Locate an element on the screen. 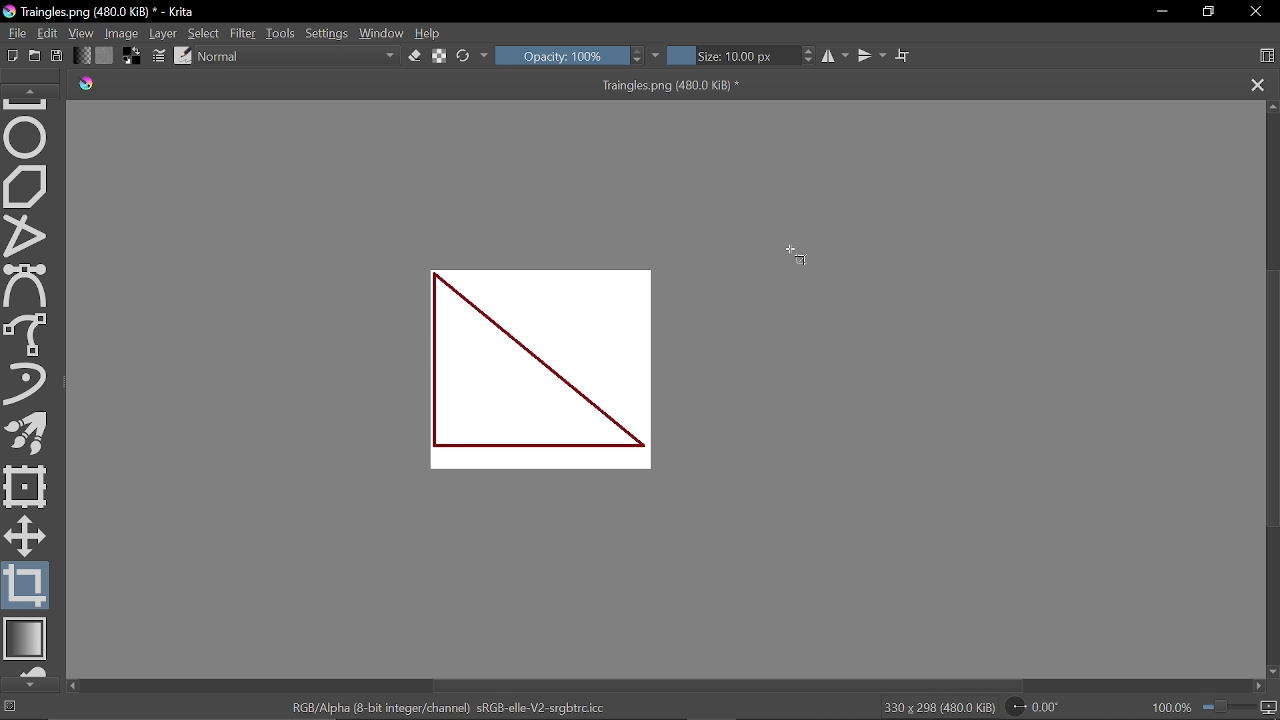  View is located at coordinates (82, 33).